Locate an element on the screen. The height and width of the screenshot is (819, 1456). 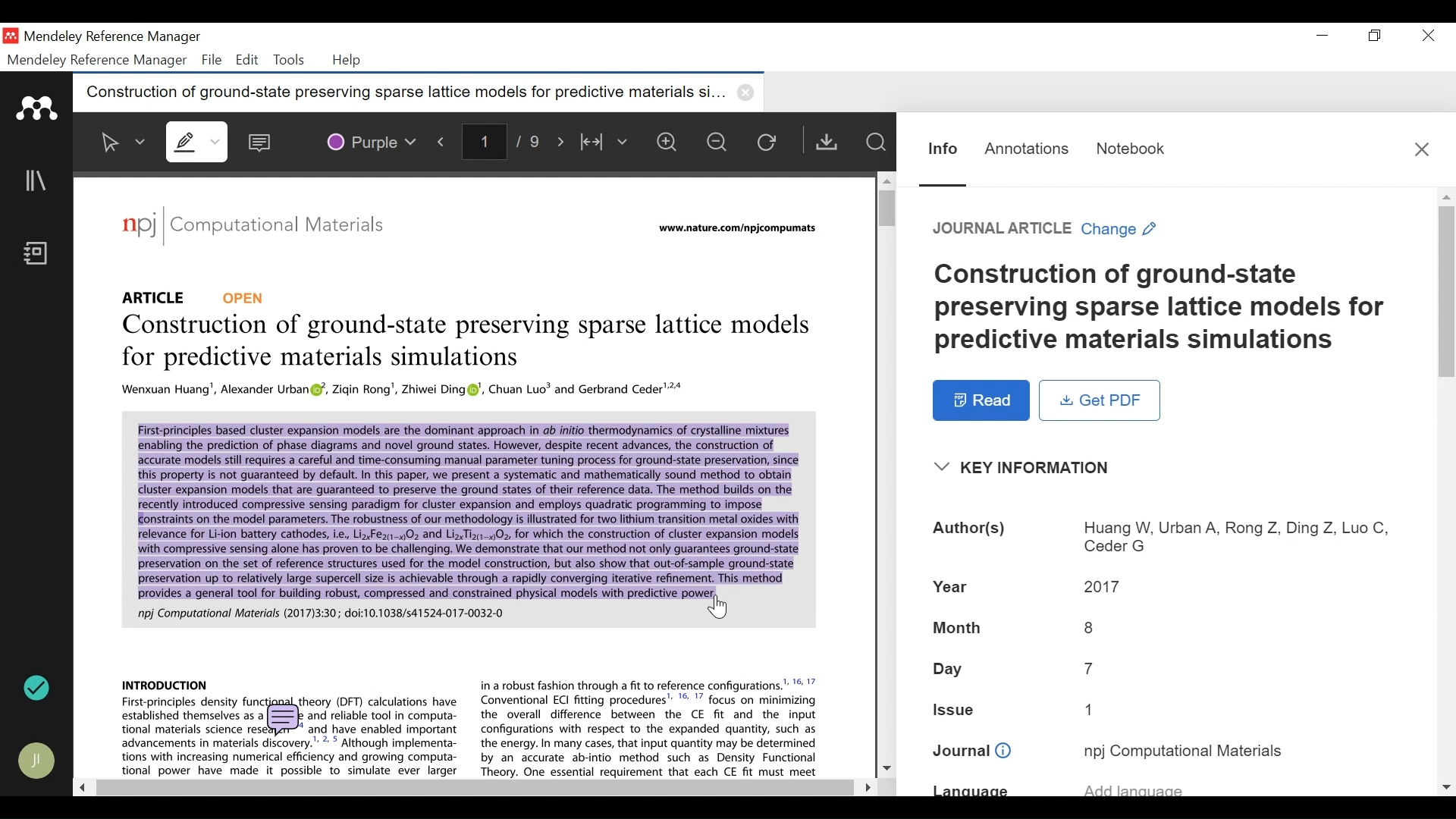
Day is located at coordinates (950, 670).